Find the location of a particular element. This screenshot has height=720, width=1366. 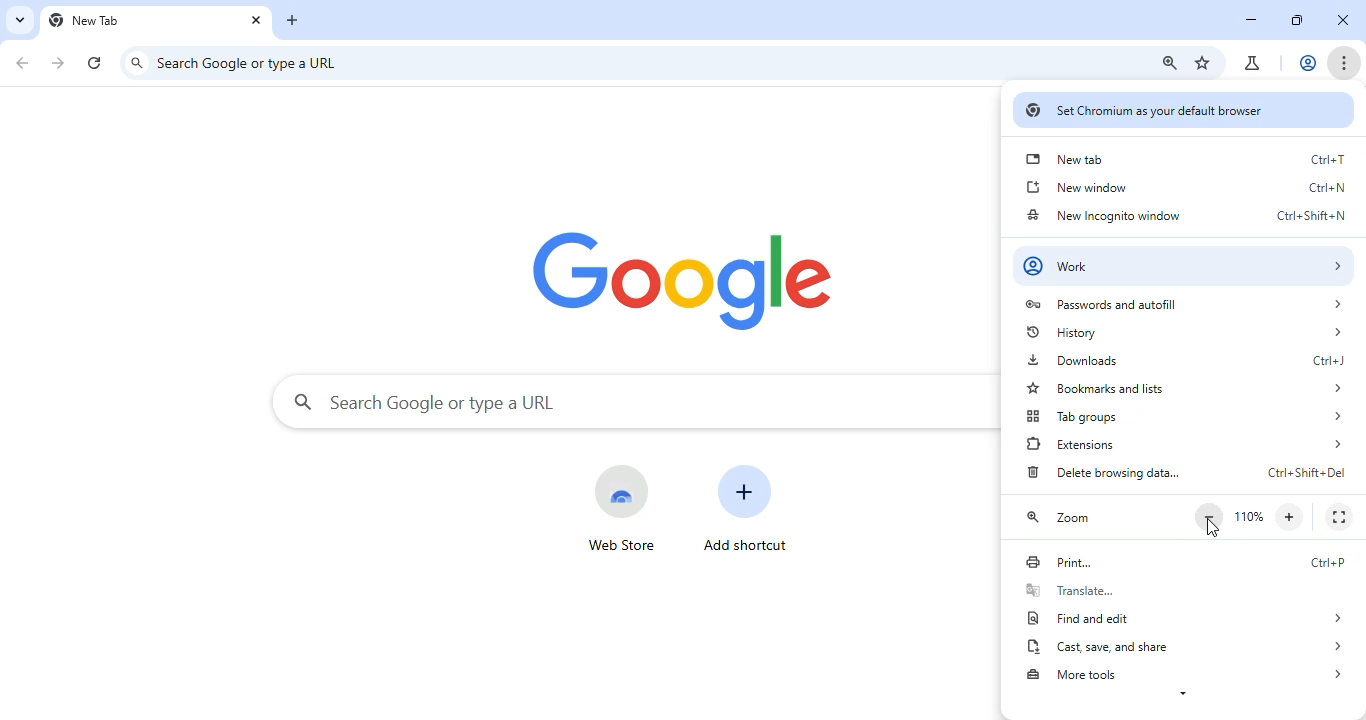

close is located at coordinates (256, 20).